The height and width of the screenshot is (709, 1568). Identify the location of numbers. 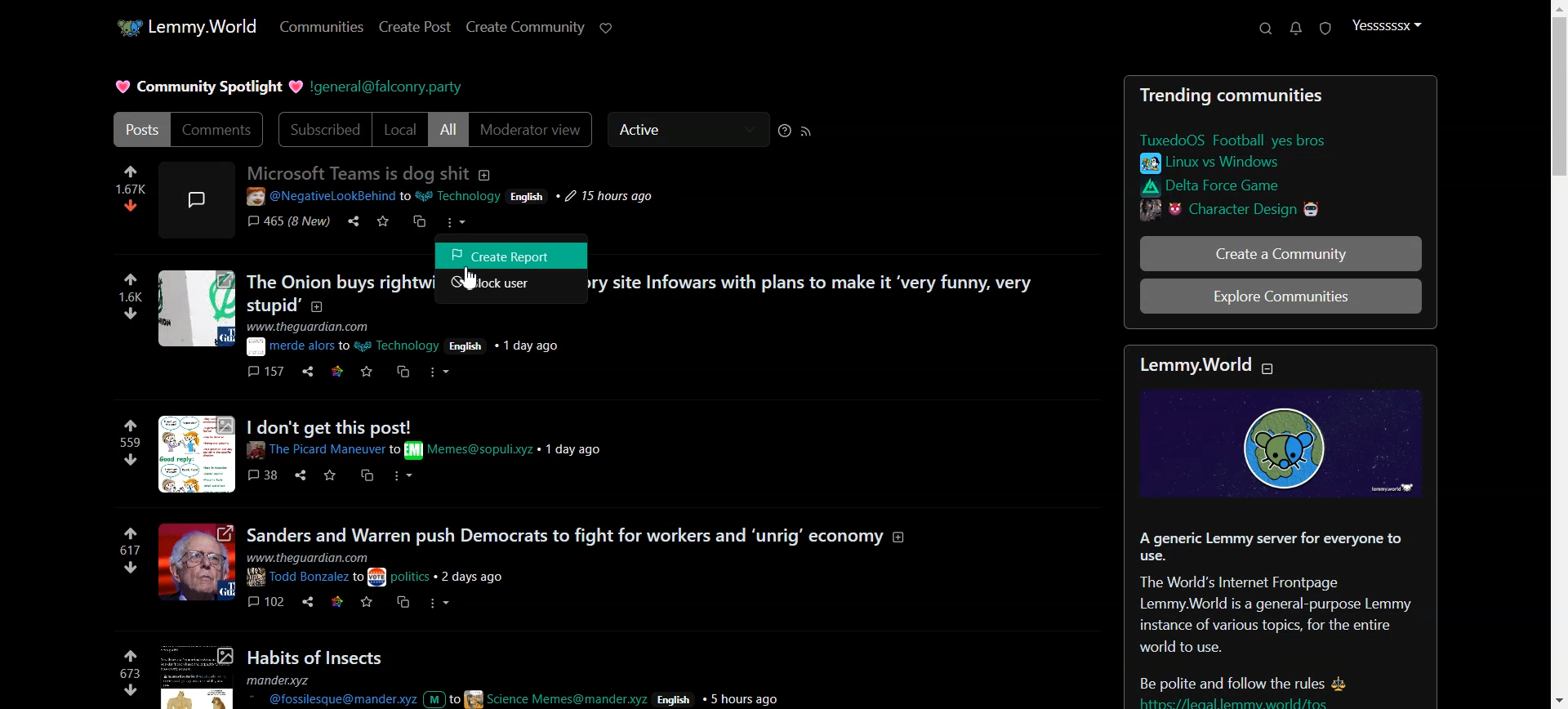
(131, 187).